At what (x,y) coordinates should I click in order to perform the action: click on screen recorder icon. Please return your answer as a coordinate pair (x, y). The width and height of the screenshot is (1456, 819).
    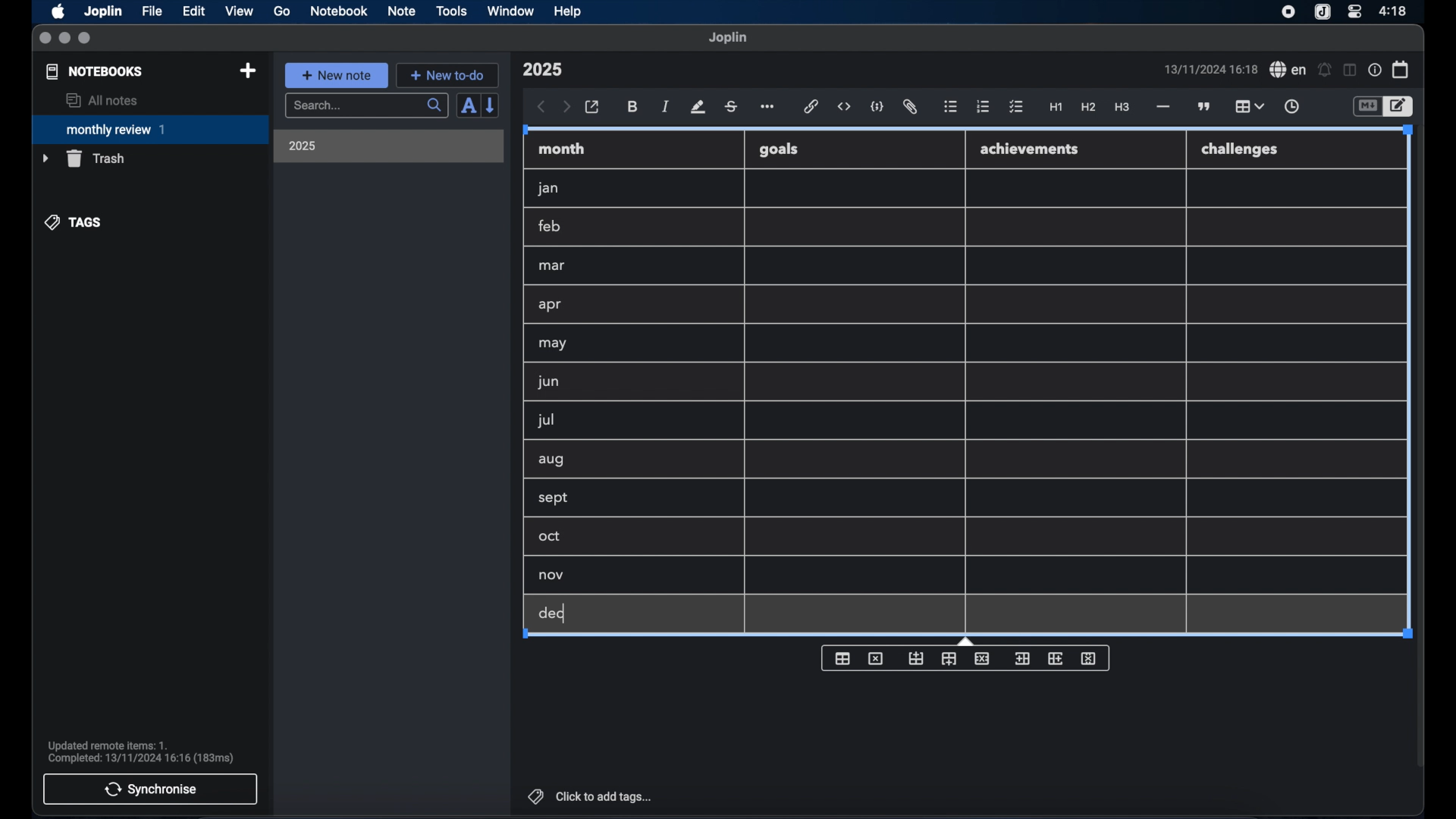
    Looking at the image, I should click on (1288, 12).